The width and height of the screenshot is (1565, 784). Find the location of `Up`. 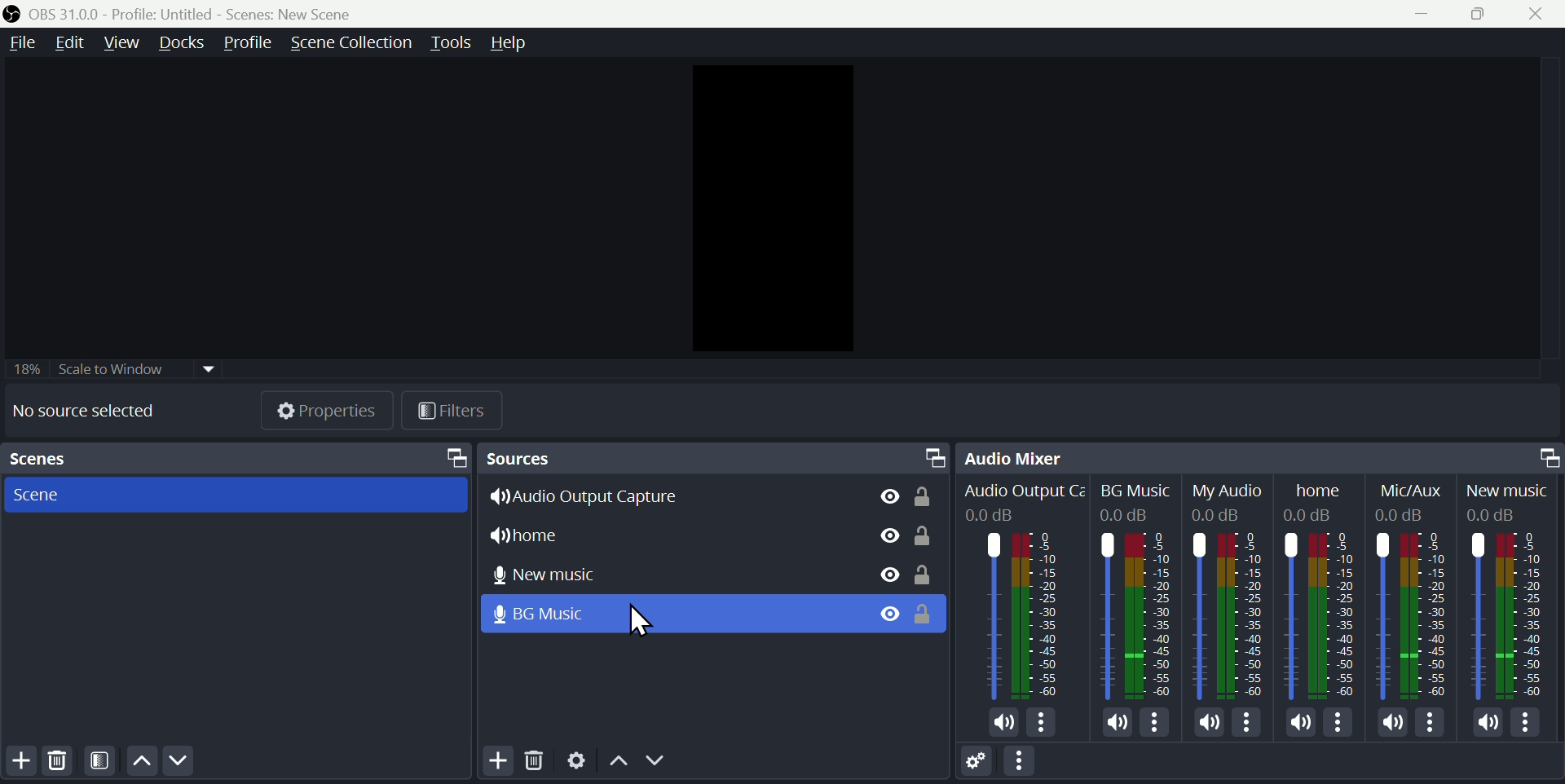

Up is located at coordinates (147, 764).